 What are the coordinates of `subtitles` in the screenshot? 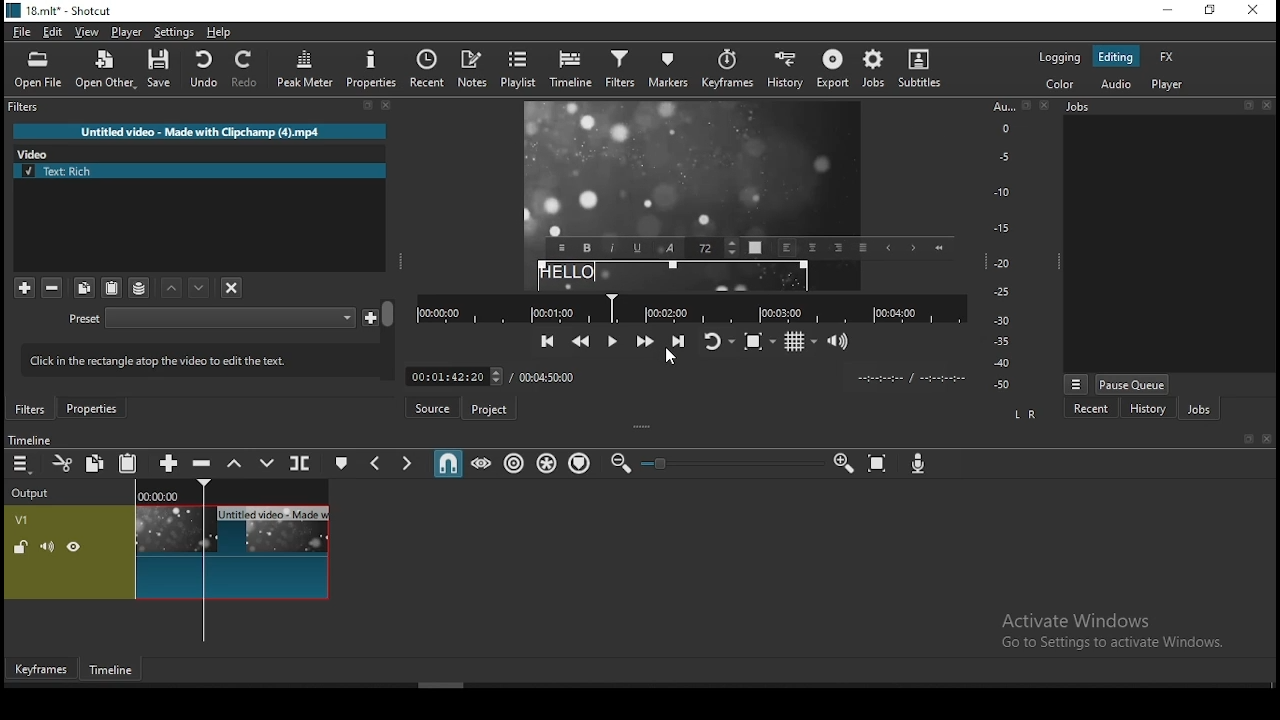 It's located at (925, 72).